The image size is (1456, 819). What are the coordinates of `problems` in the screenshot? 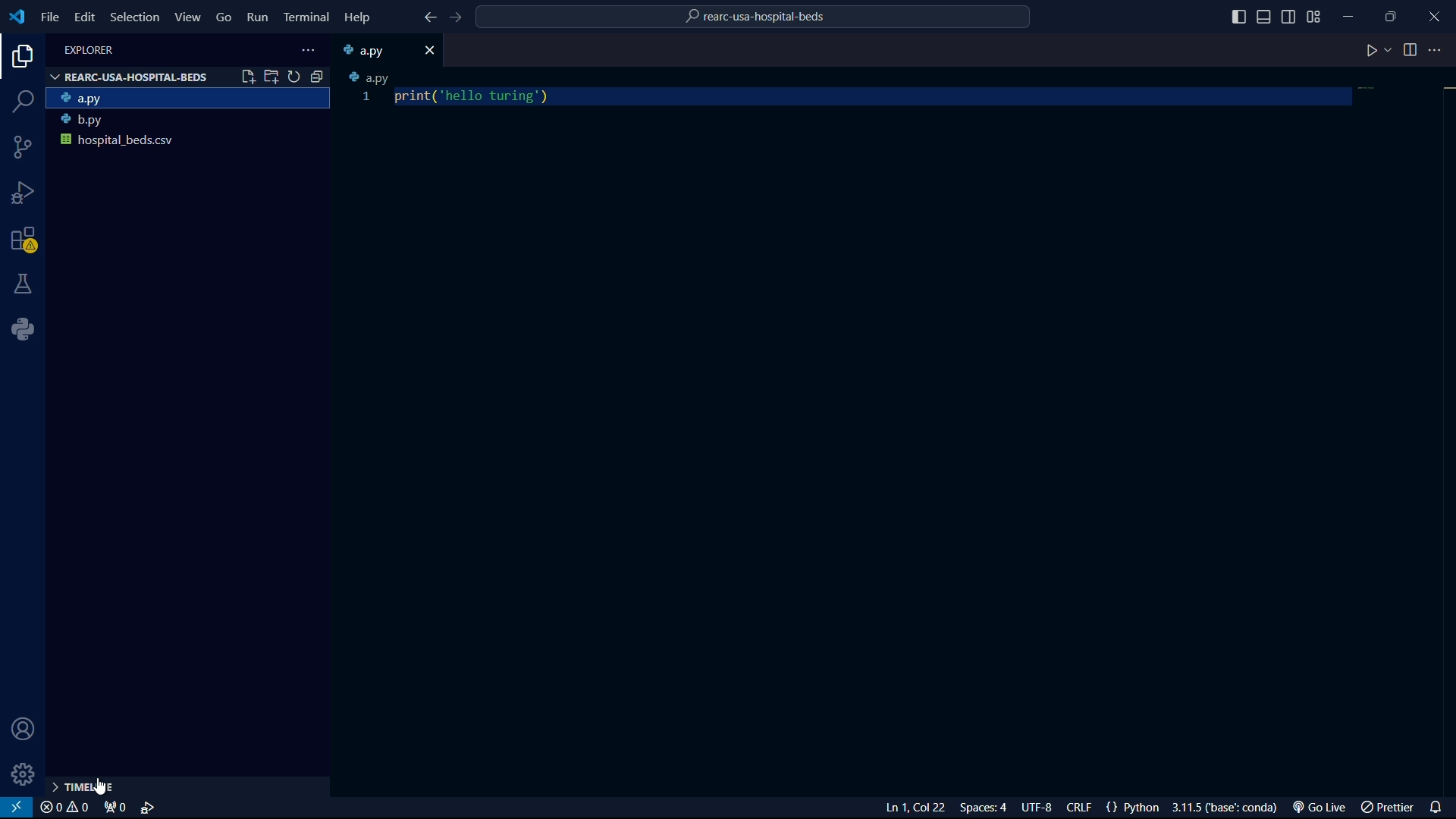 It's located at (64, 808).